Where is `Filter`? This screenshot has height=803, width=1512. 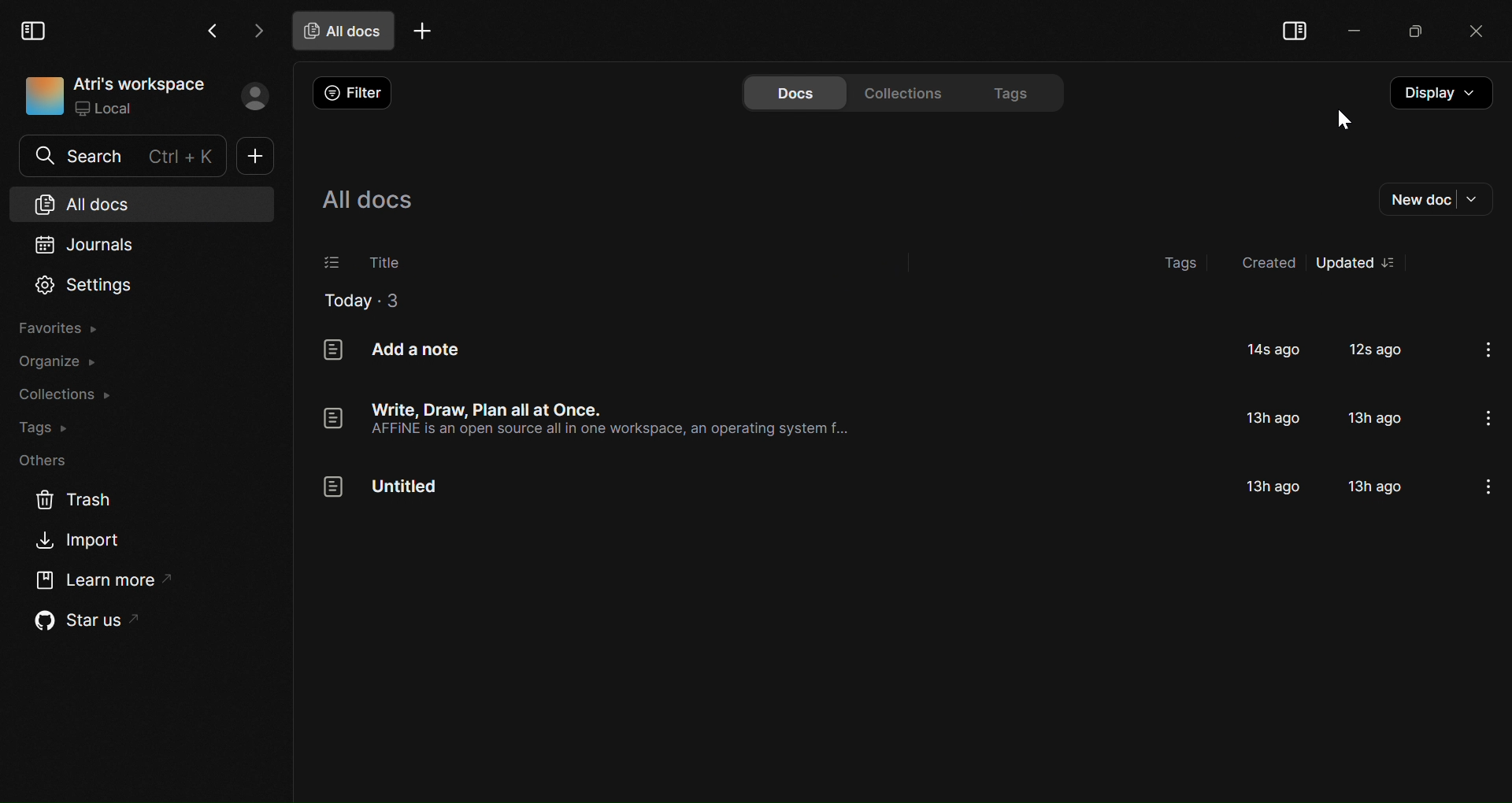
Filter is located at coordinates (358, 93).